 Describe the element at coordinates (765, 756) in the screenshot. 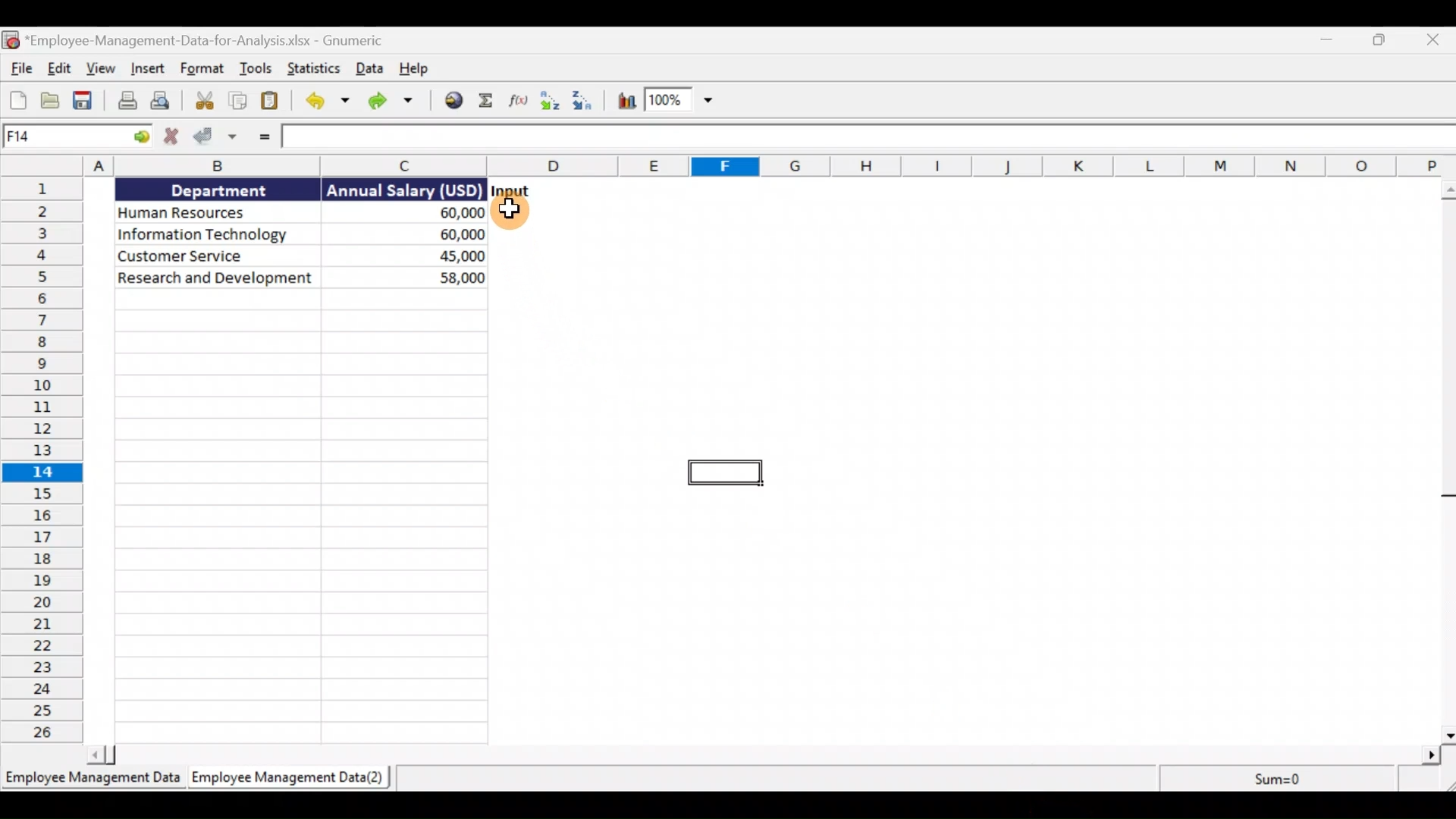

I see `scroll bar` at that location.